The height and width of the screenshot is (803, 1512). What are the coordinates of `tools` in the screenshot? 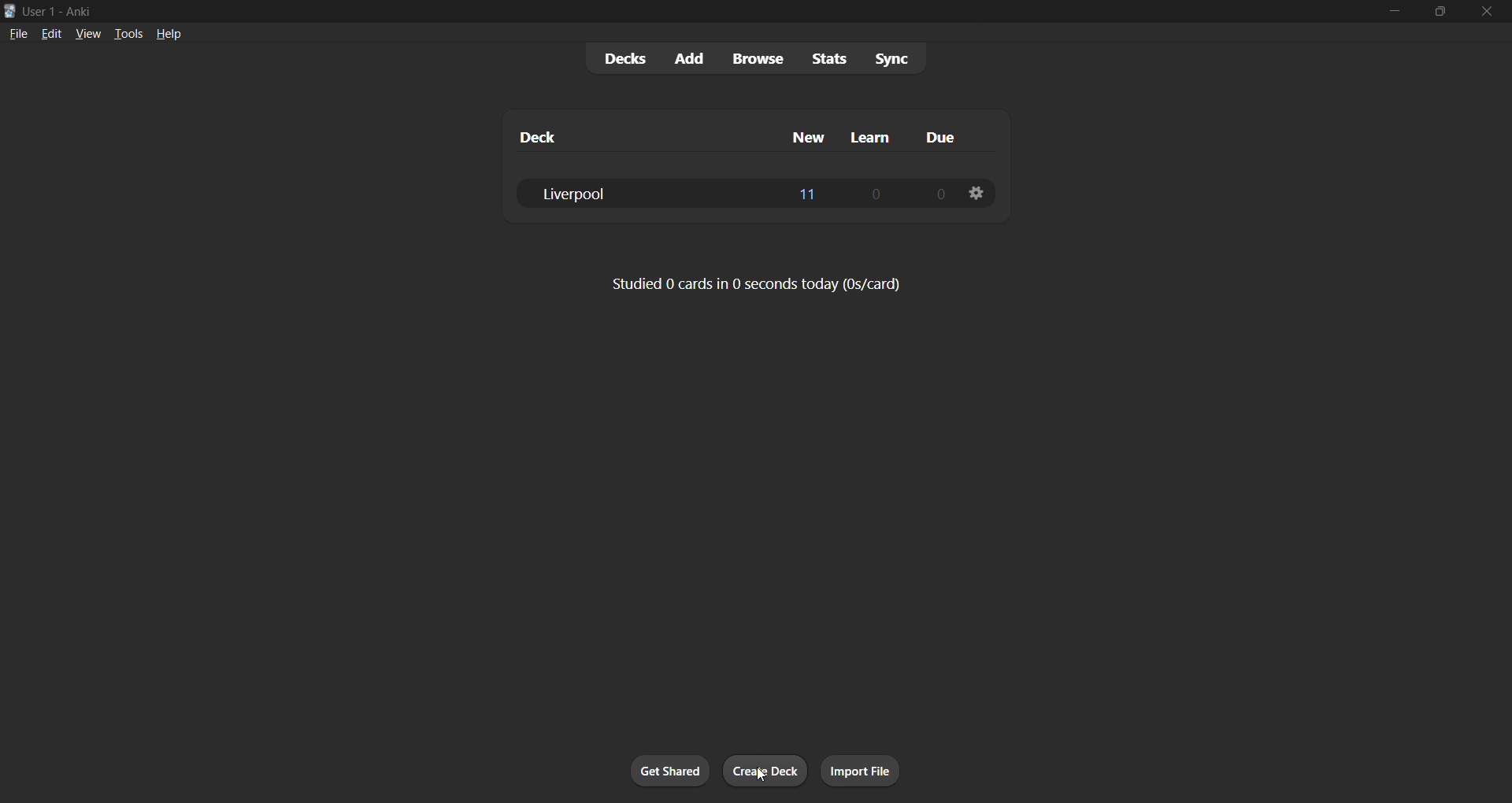 It's located at (128, 35).